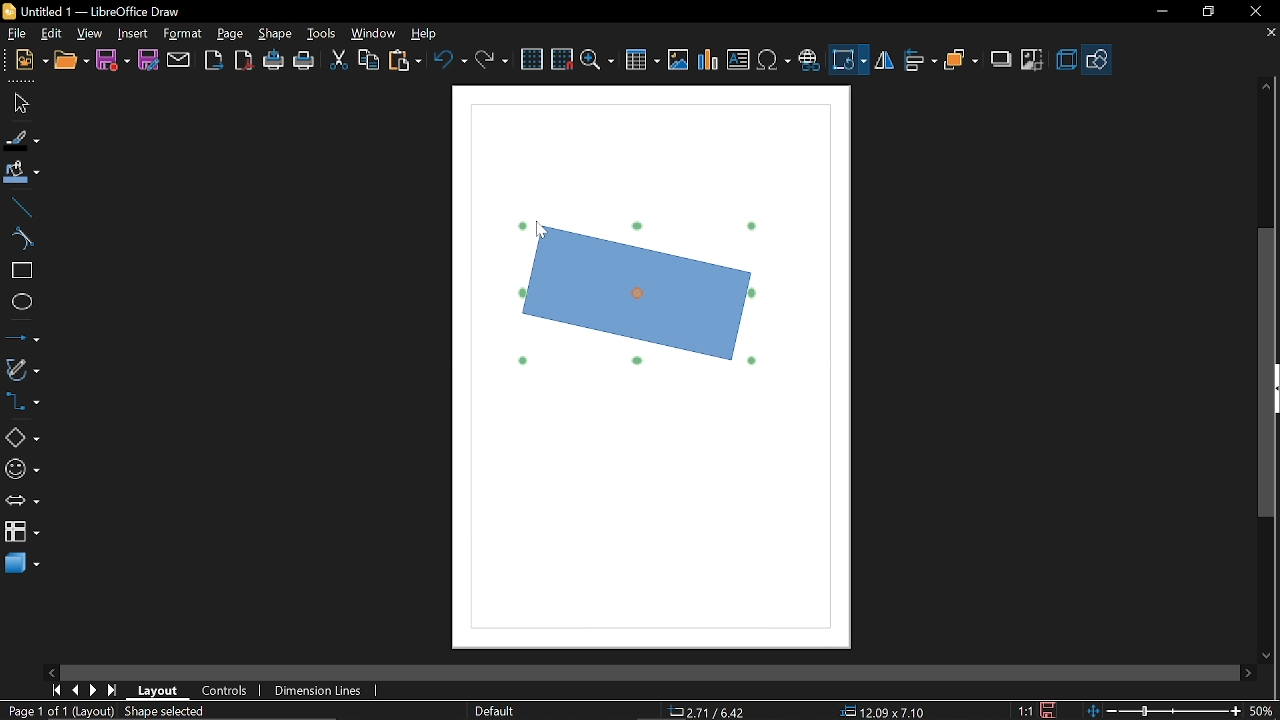  What do you see at coordinates (22, 404) in the screenshot?
I see `Connector` at bounding box center [22, 404].